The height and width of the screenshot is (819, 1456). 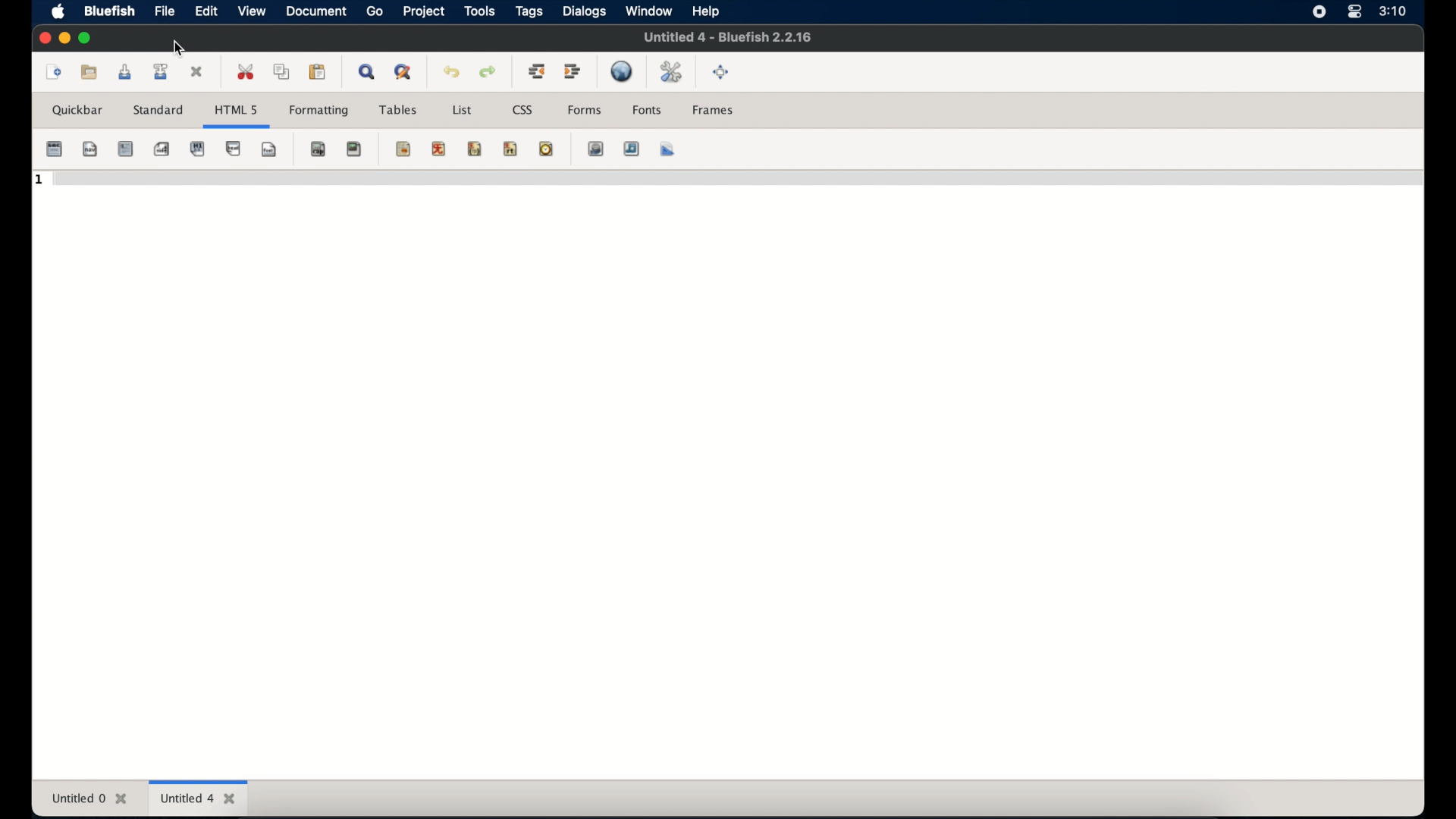 I want to click on go, so click(x=375, y=12).